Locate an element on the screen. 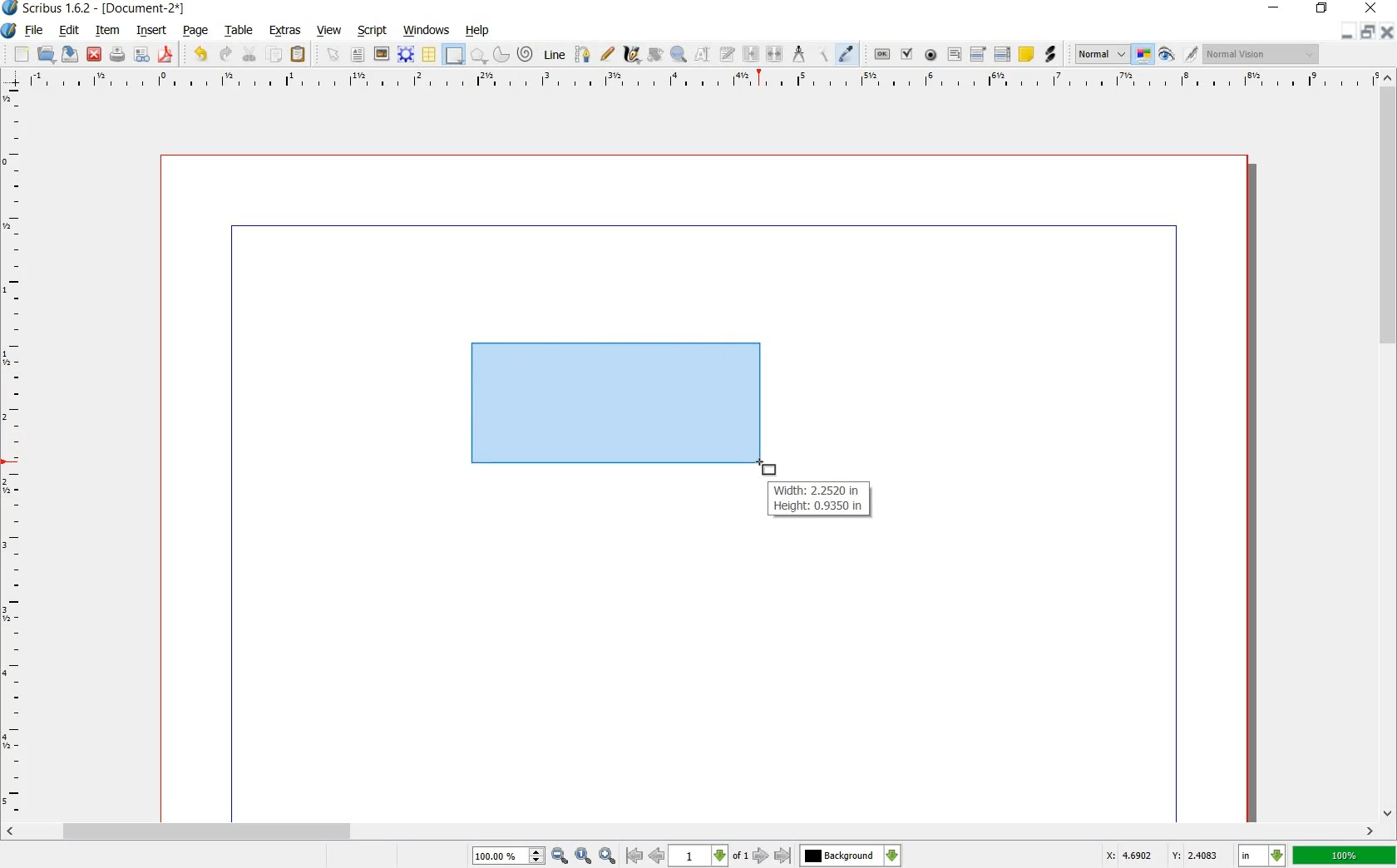 The image size is (1397, 868). RESTORE is located at coordinates (1320, 11).